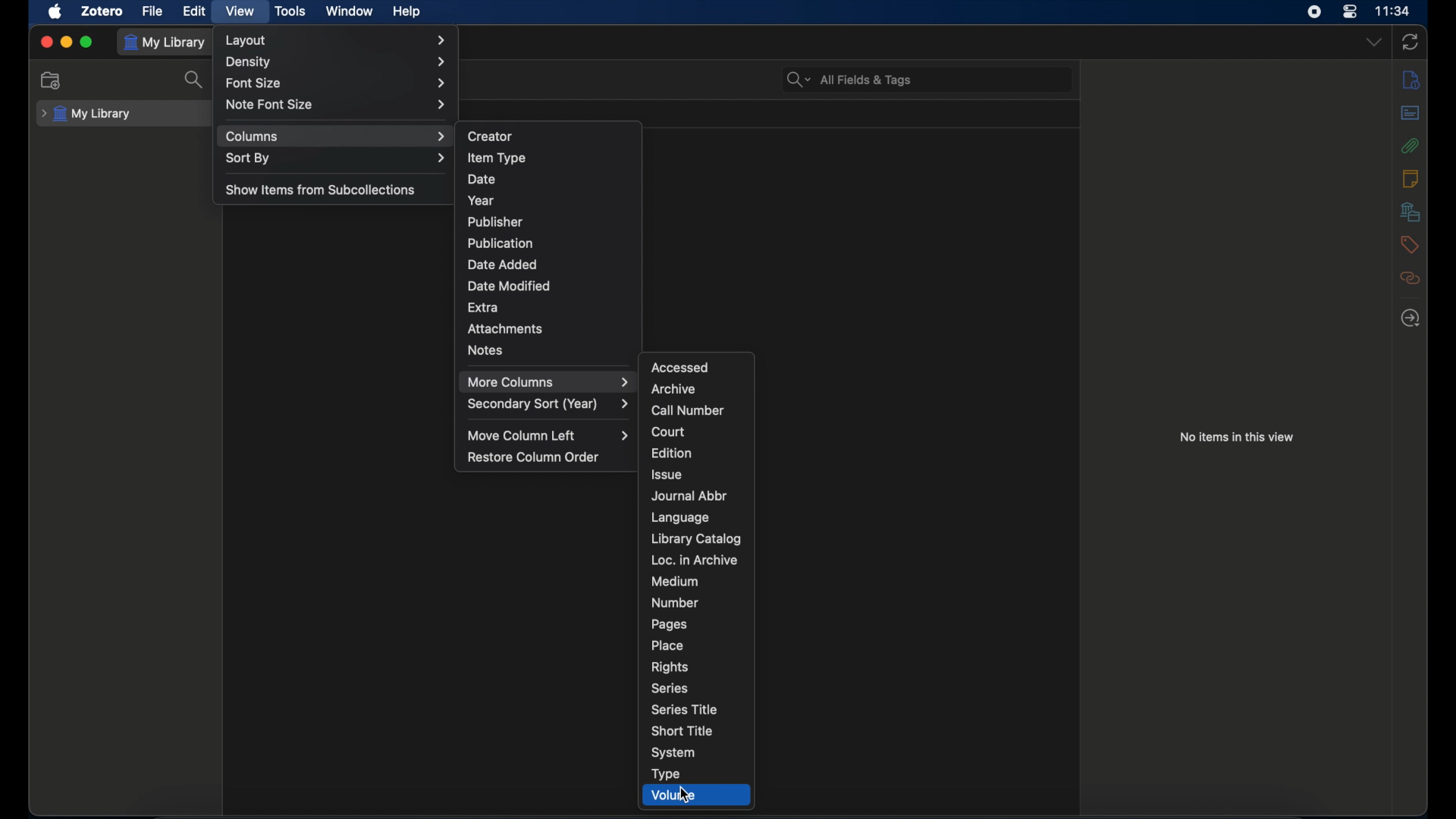 Image resolution: width=1456 pixels, height=819 pixels. Describe the element at coordinates (673, 753) in the screenshot. I see `system` at that location.